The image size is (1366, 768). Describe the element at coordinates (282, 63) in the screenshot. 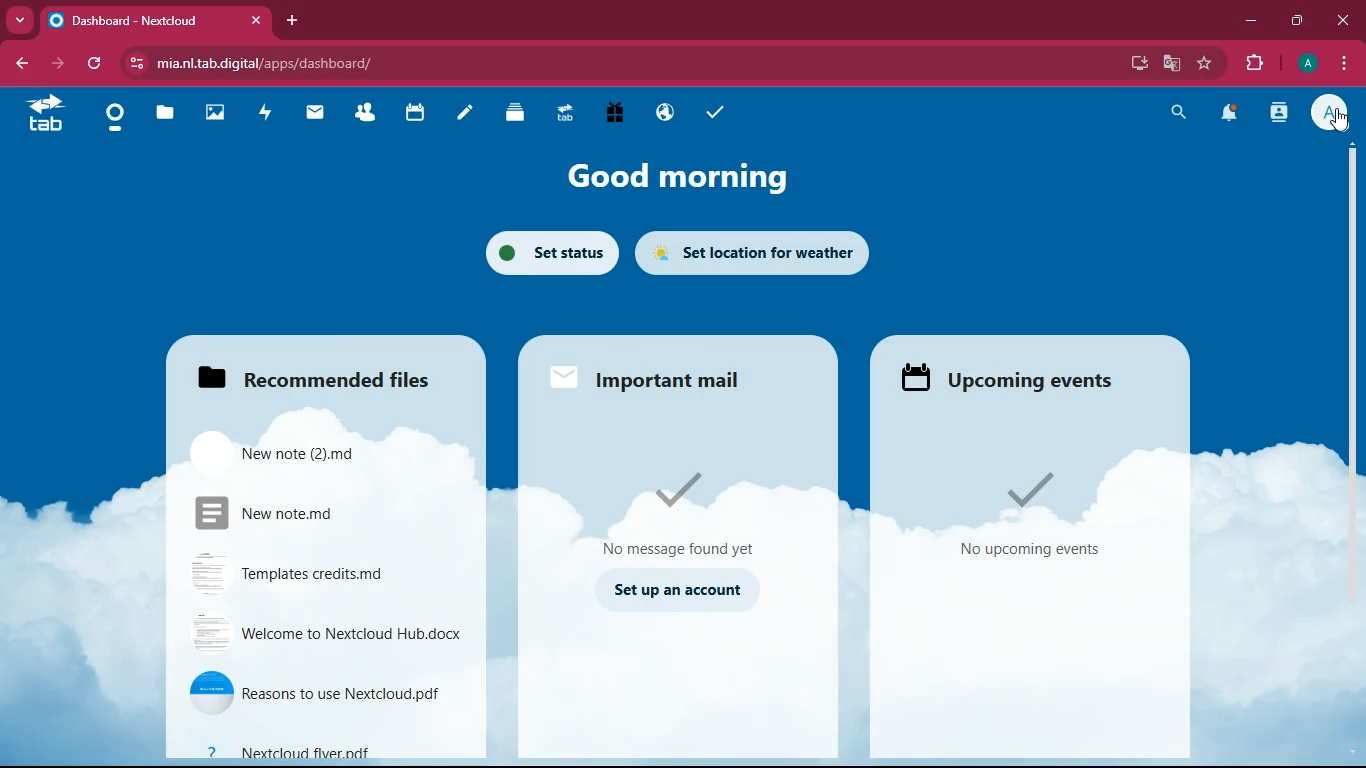

I see `url` at that location.